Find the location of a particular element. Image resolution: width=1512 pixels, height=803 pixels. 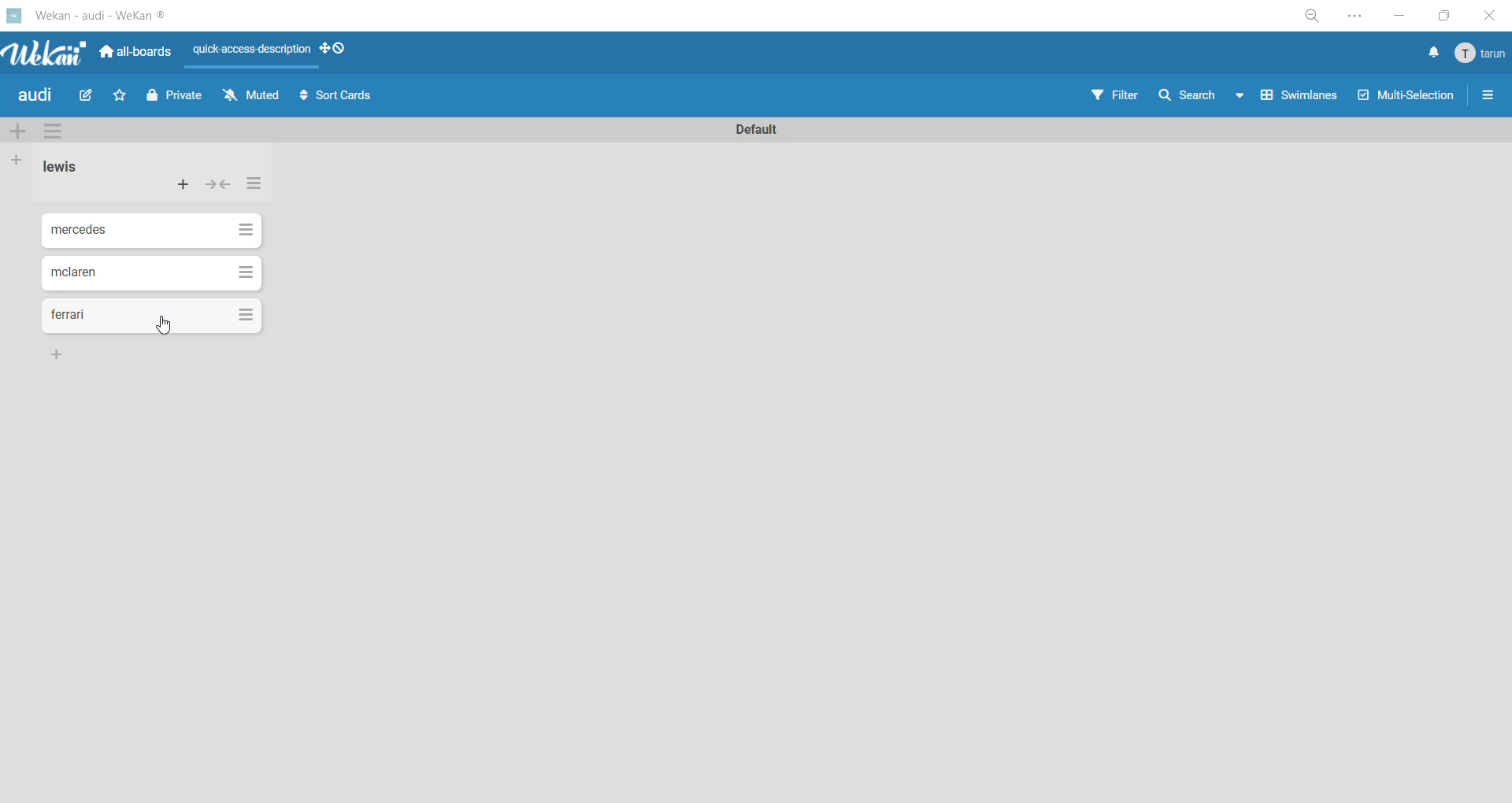

cursor is located at coordinates (168, 329).